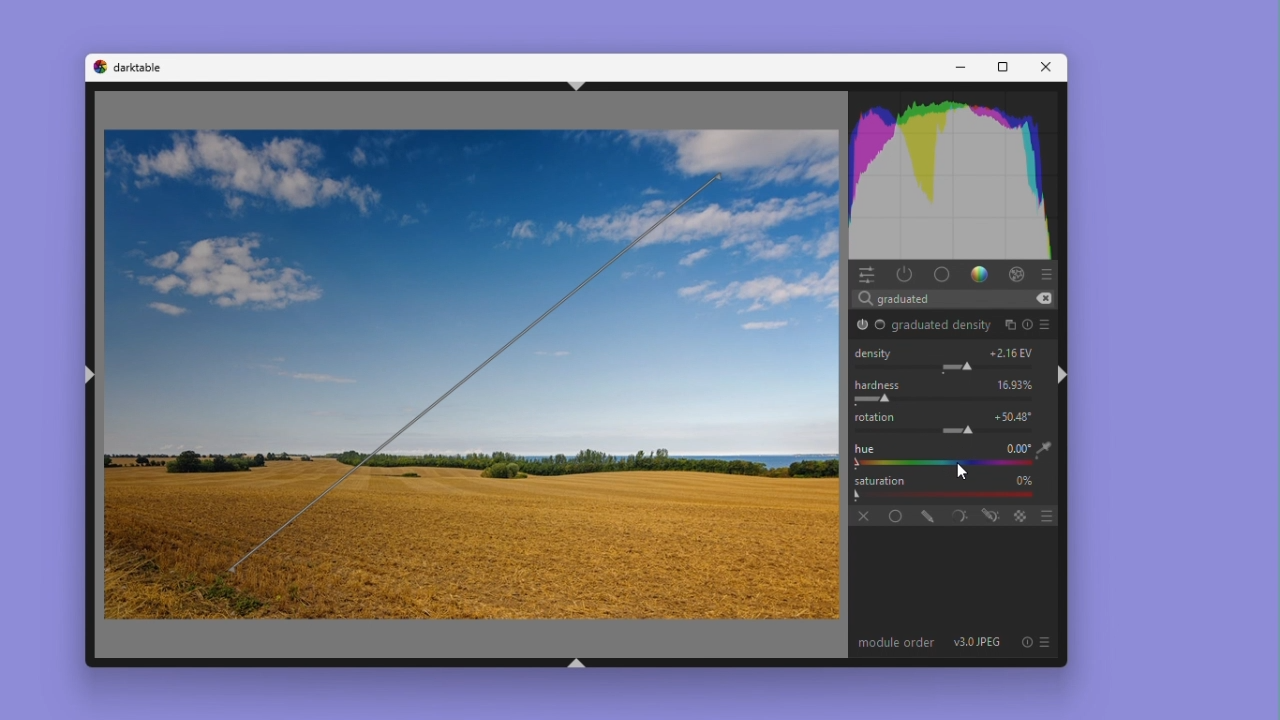 The height and width of the screenshot is (720, 1280). Describe the element at coordinates (958, 297) in the screenshot. I see `Search bar` at that location.